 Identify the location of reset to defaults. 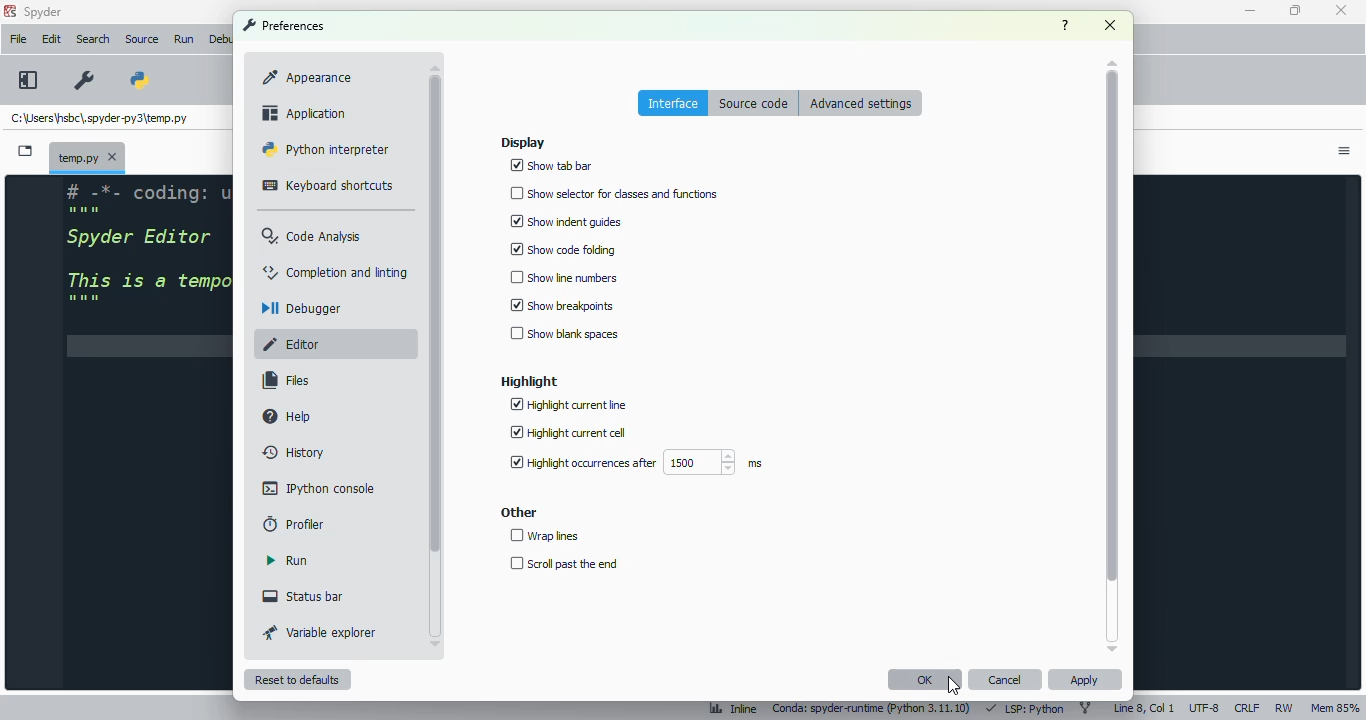
(299, 679).